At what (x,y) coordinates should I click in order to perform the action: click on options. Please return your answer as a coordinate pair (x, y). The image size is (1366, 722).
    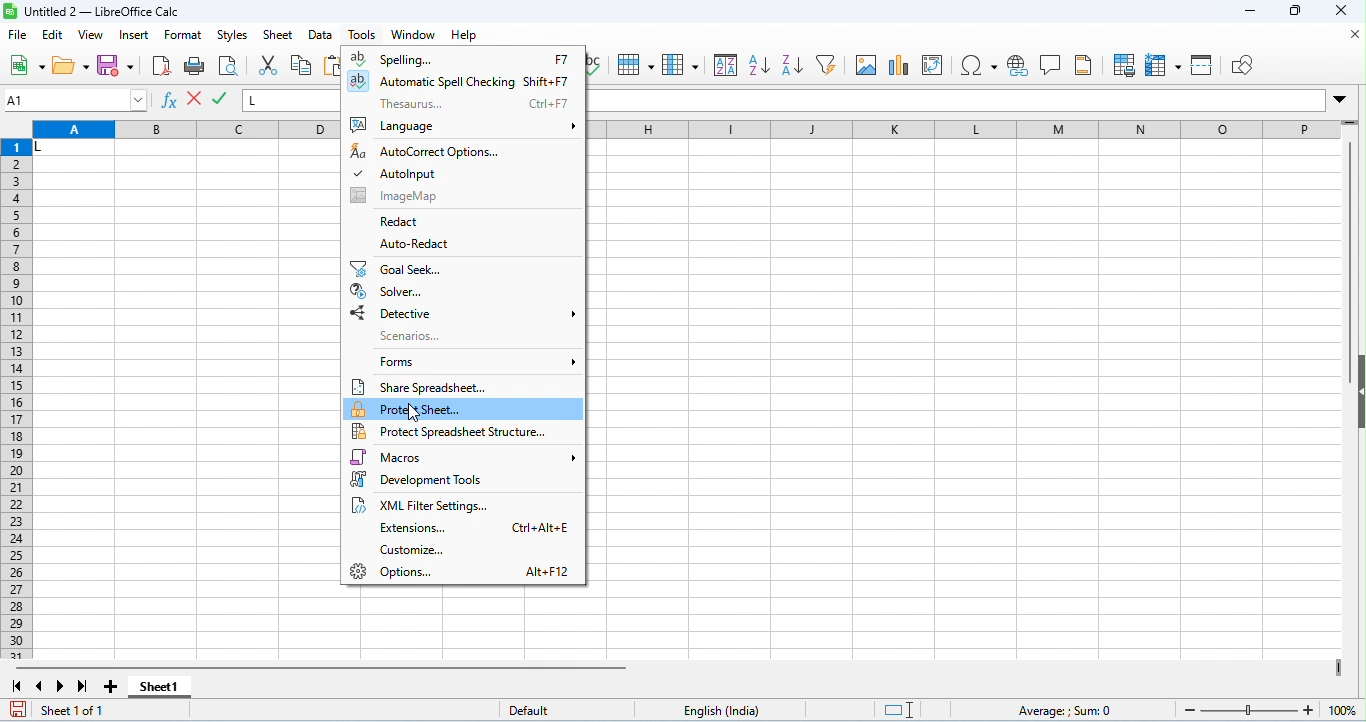
    Looking at the image, I should click on (462, 572).